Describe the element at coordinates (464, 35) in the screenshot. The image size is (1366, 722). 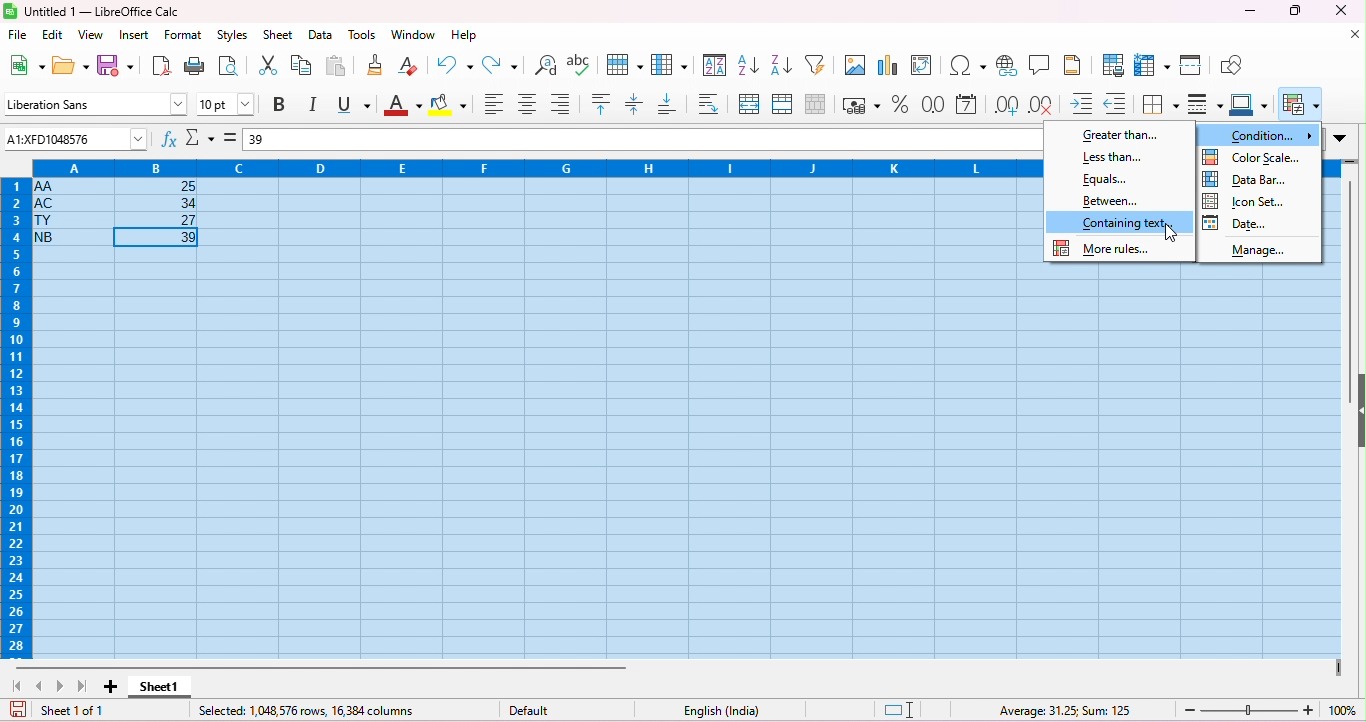
I see `help` at that location.